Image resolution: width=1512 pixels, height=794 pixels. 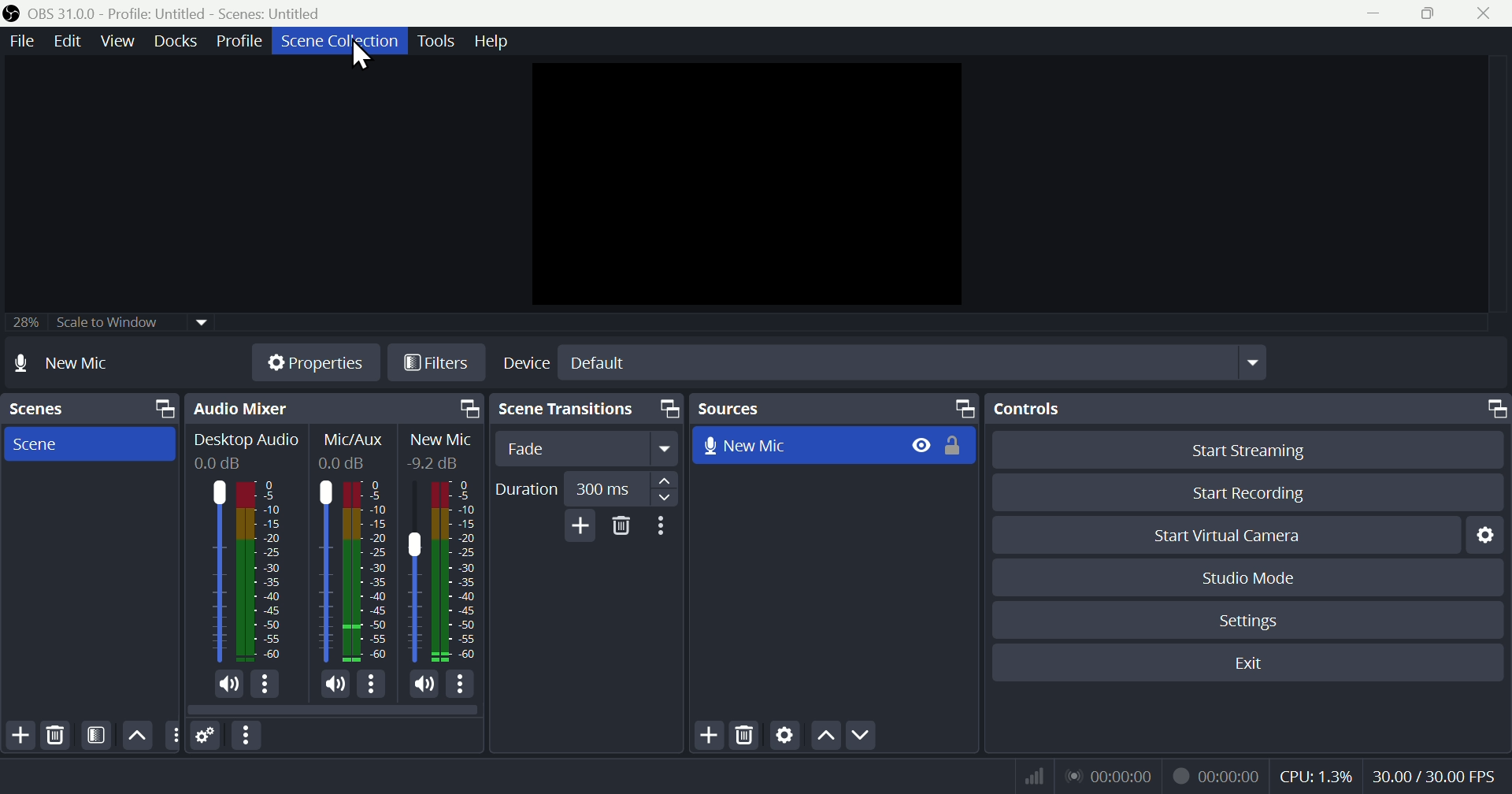 What do you see at coordinates (797, 447) in the screenshot?
I see `New mic` at bounding box center [797, 447].